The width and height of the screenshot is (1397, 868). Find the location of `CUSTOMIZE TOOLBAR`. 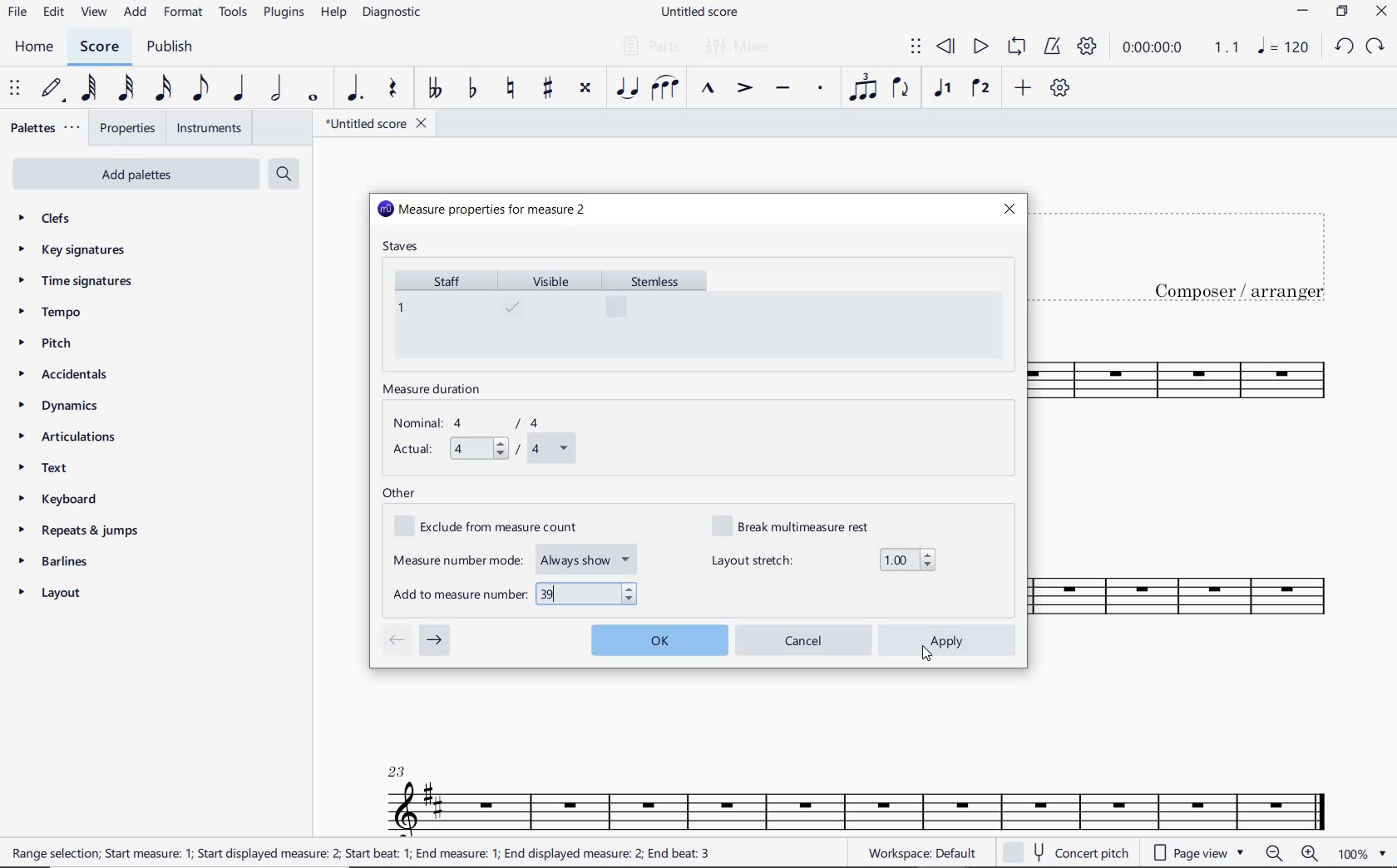

CUSTOMIZE TOOLBAR is located at coordinates (1060, 88).